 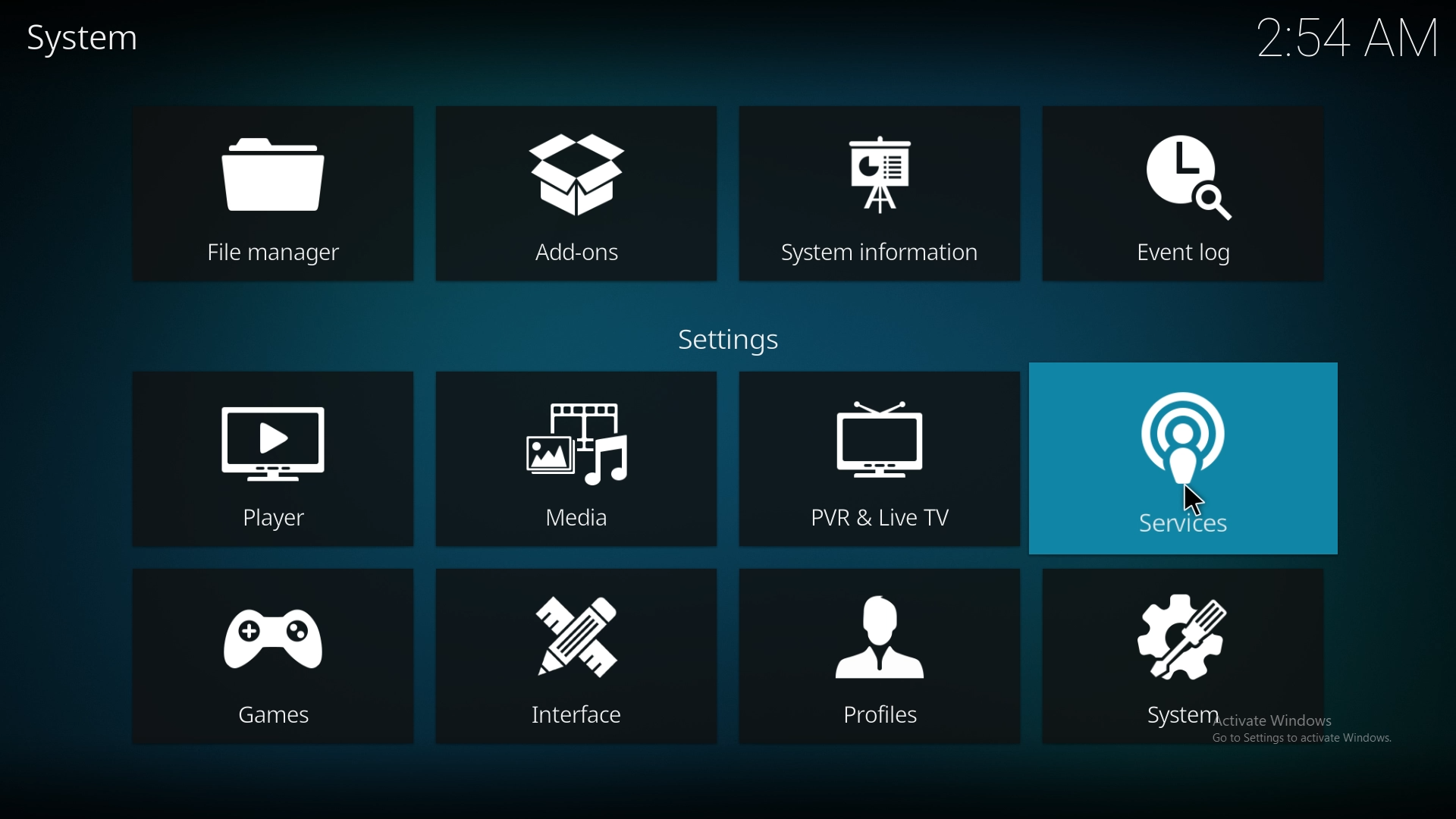 I want to click on system, so click(x=98, y=42).